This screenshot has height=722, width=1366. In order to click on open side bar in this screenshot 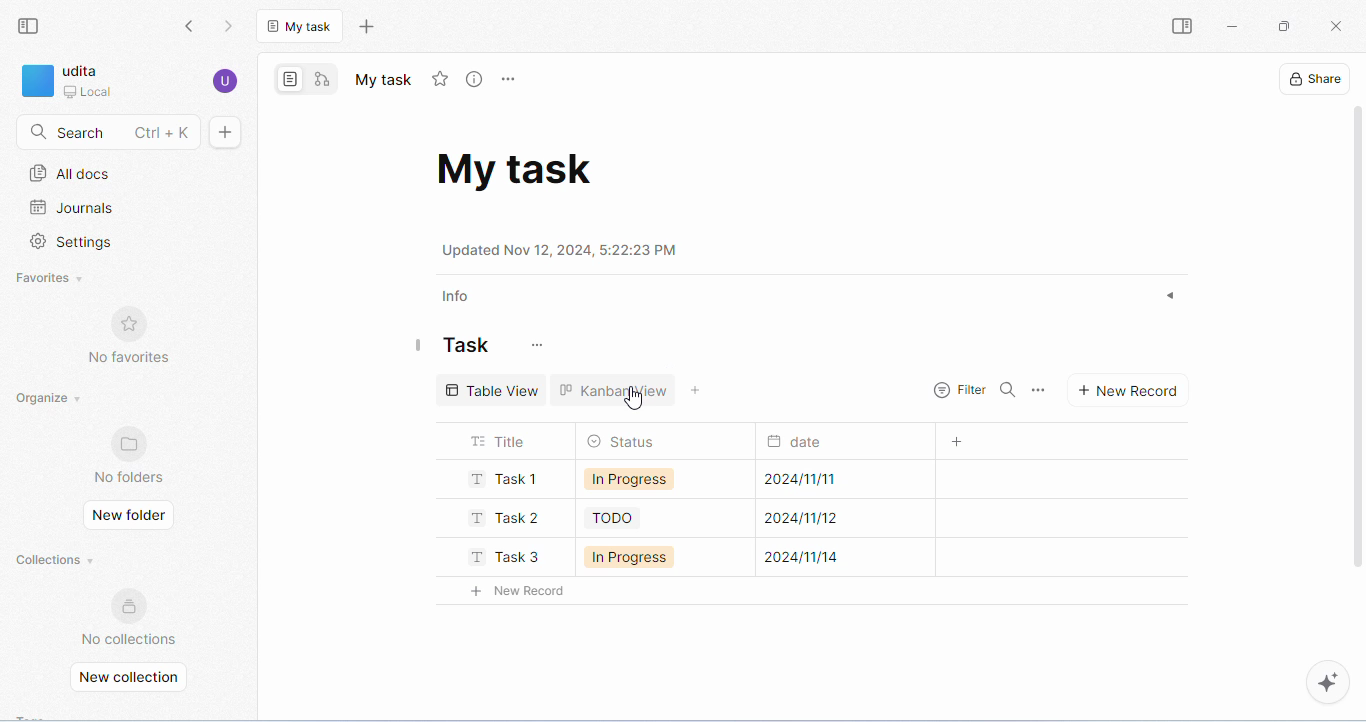, I will do `click(1179, 27)`.